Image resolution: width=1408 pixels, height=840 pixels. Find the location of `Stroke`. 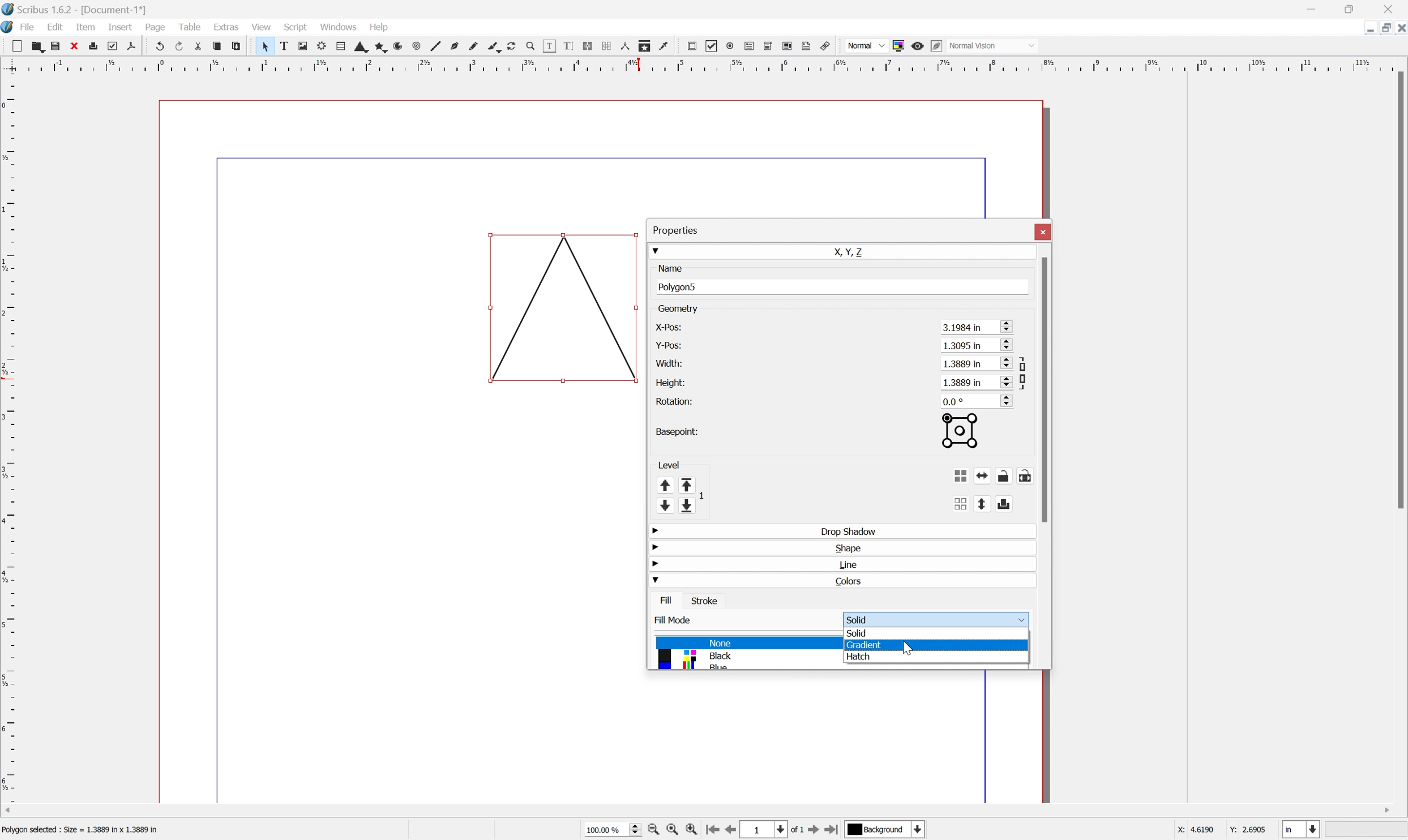

Stroke is located at coordinates (704, 600).